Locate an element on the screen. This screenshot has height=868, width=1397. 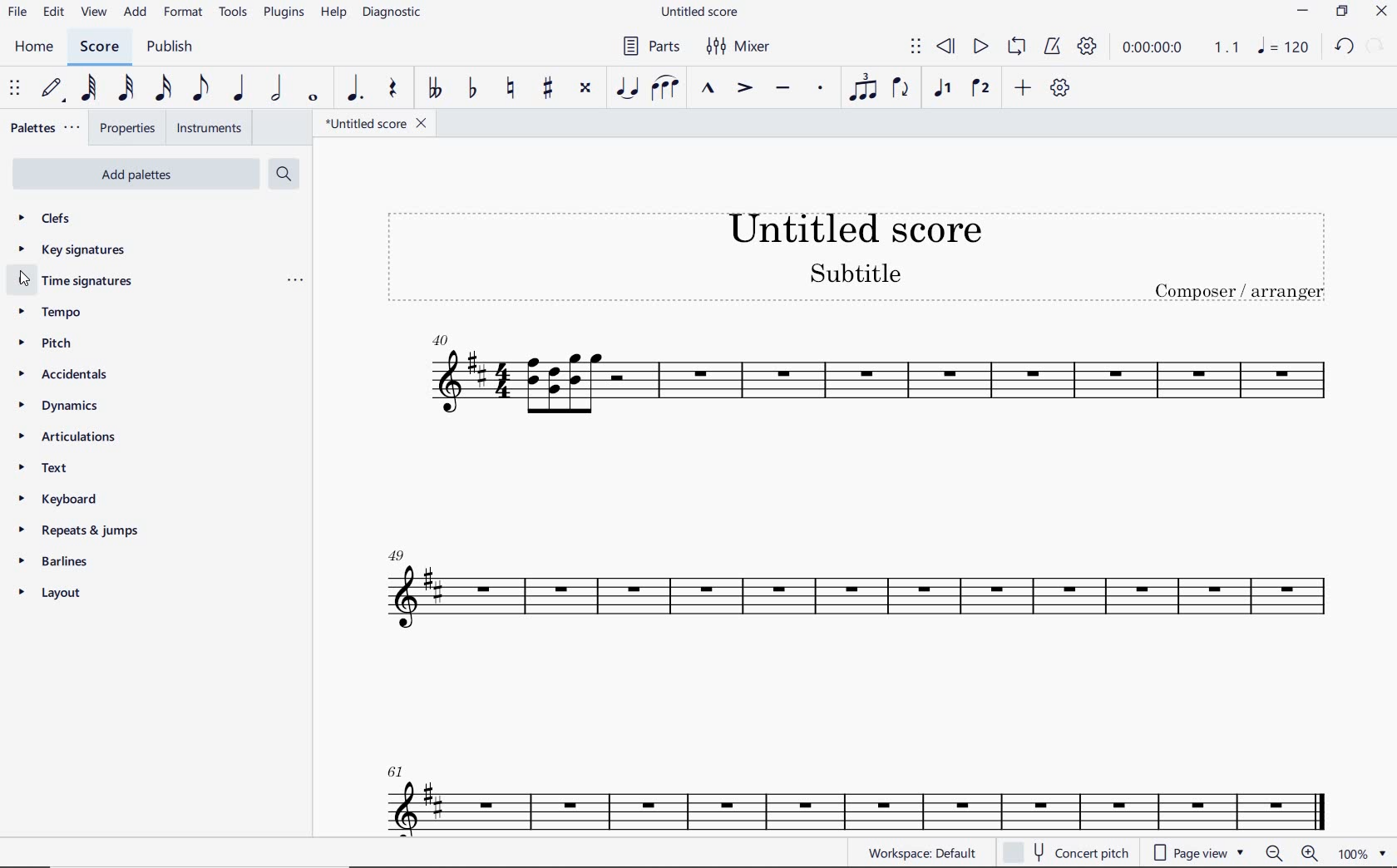
MINIMIZE is located at coordinates (1303, 11).